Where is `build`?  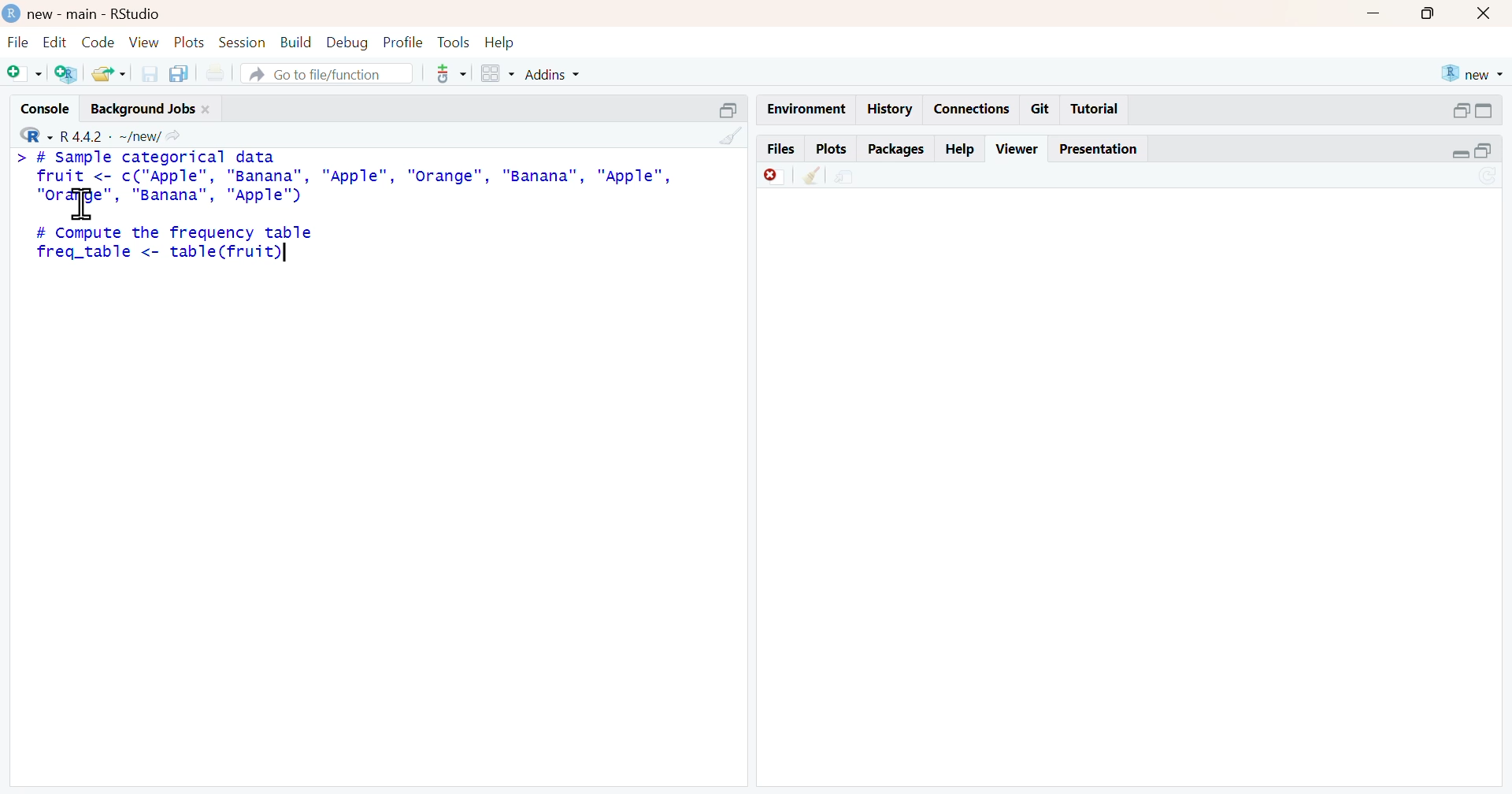
build is located at coordinates (295, 43).